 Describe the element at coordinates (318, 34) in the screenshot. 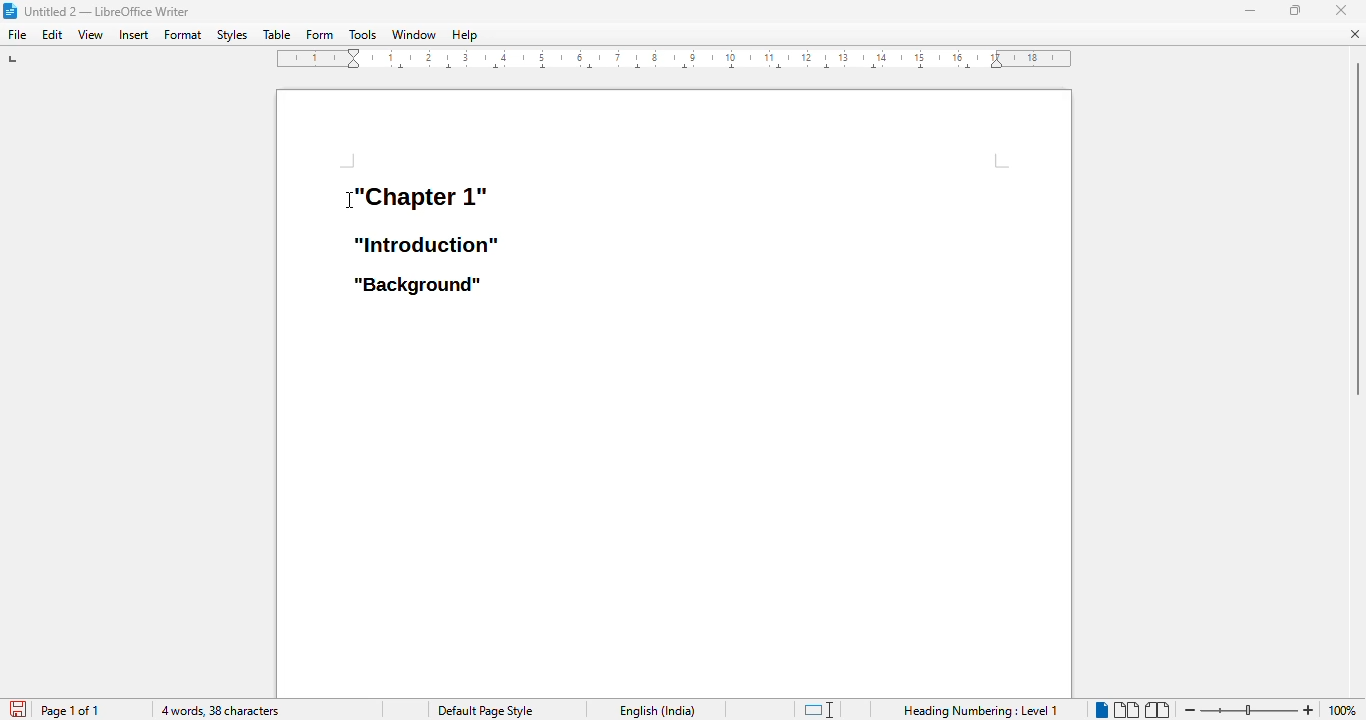

I see `form` at that location.